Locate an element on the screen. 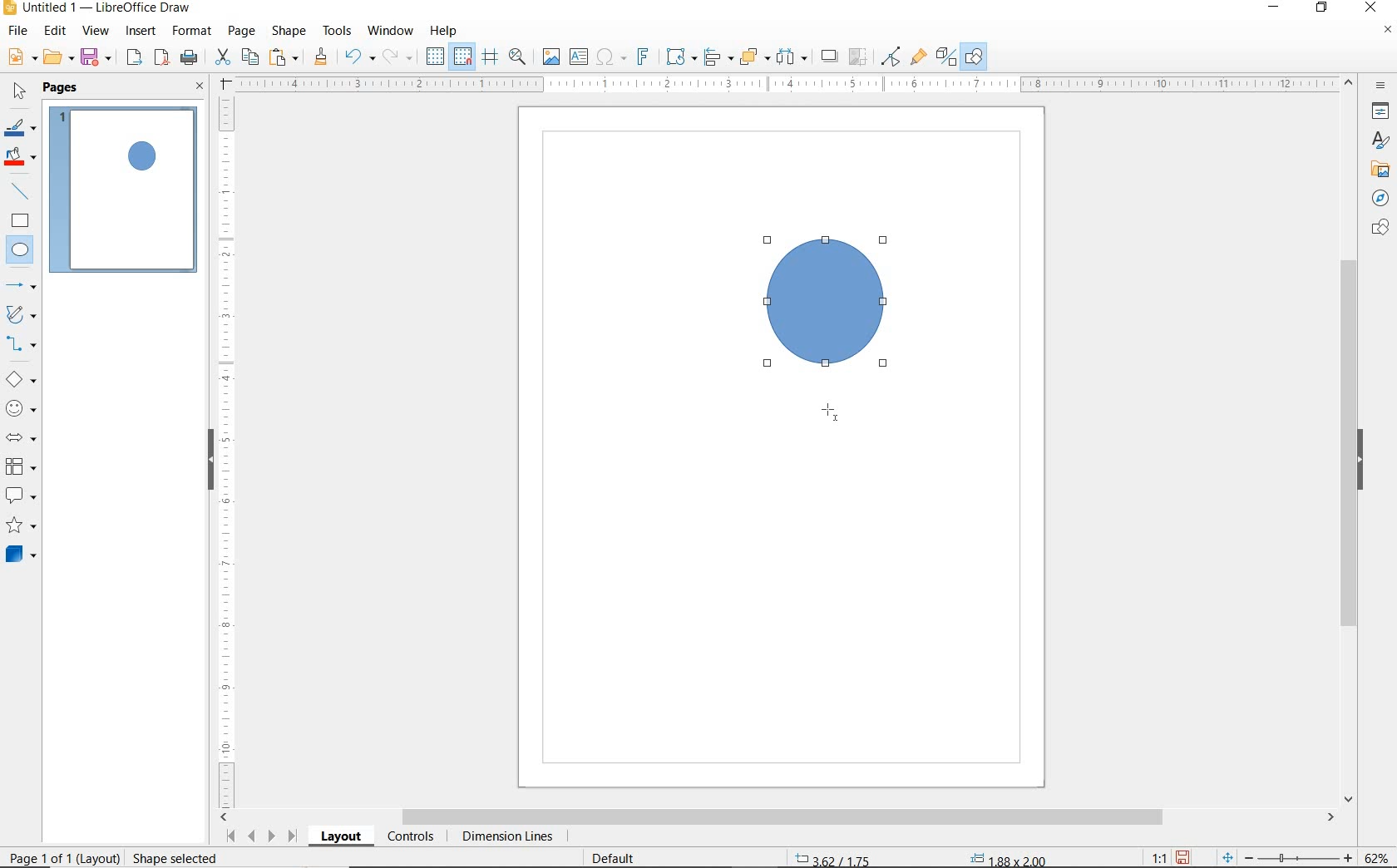 This screenshot has width=1397, height=868. SHOW GLUEPOINT FUNCTIONS is located at coordinates (918, 57).